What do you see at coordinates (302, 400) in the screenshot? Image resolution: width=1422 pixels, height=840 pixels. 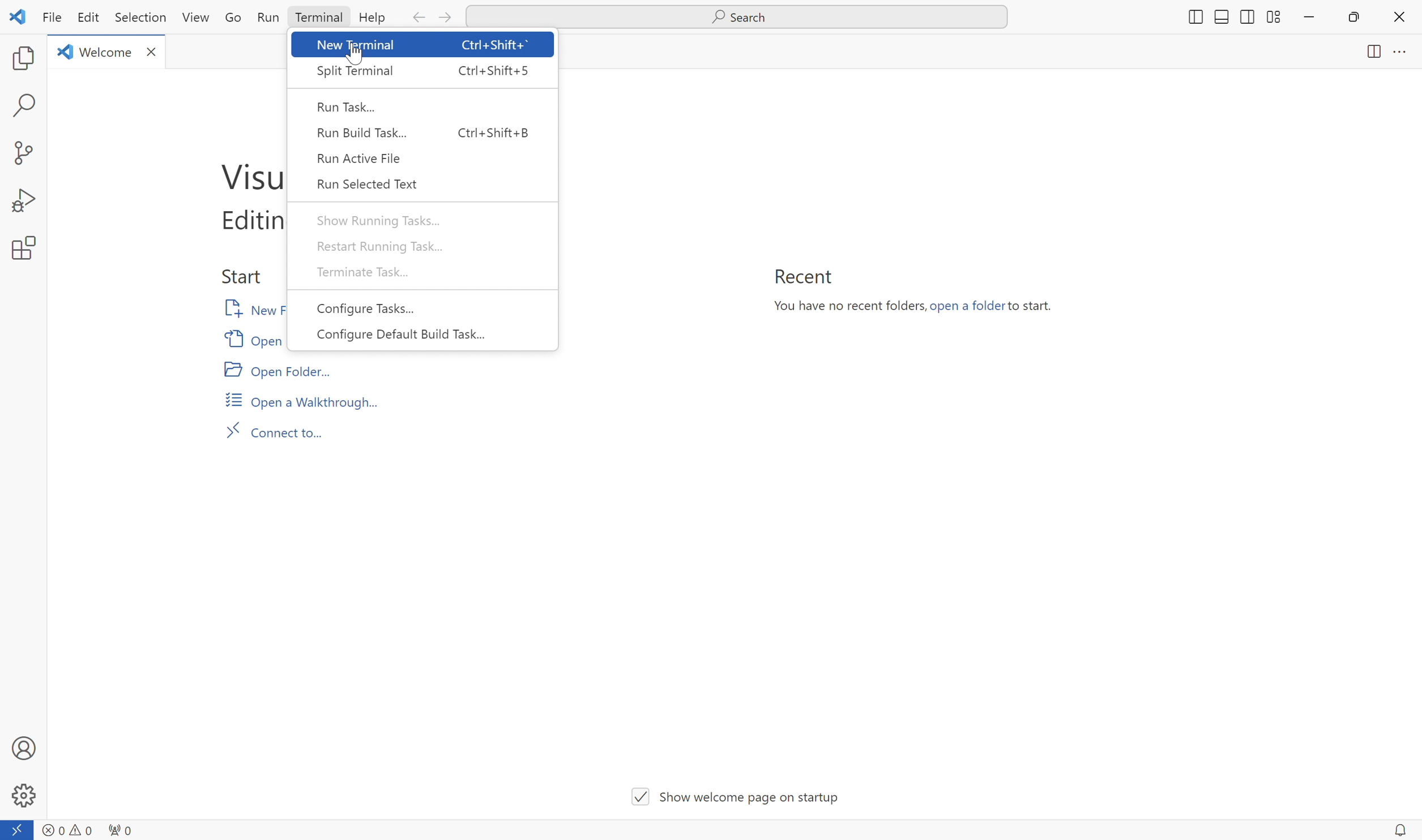 I see `Open a Walkthrough...` at bounding box center [302, 400].